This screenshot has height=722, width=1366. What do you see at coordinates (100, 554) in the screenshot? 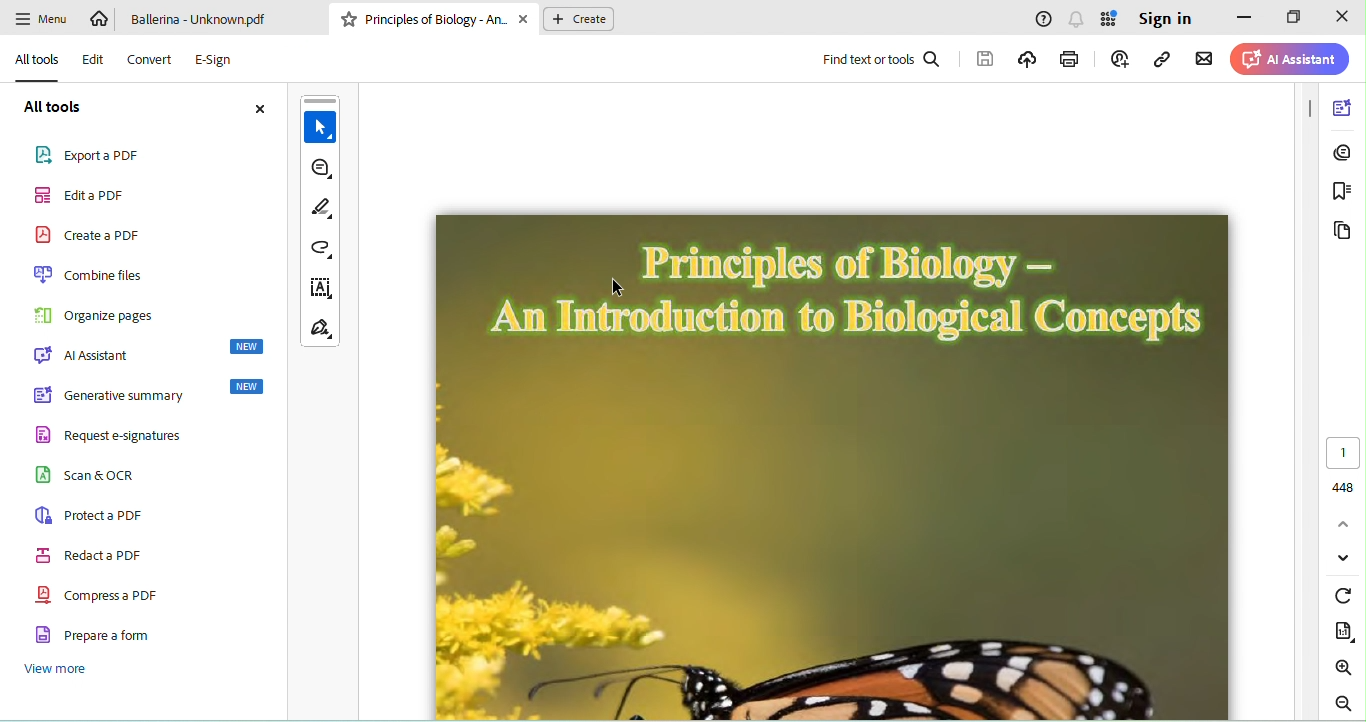
I see `redact a pdf` at bounding box center [100, 554].